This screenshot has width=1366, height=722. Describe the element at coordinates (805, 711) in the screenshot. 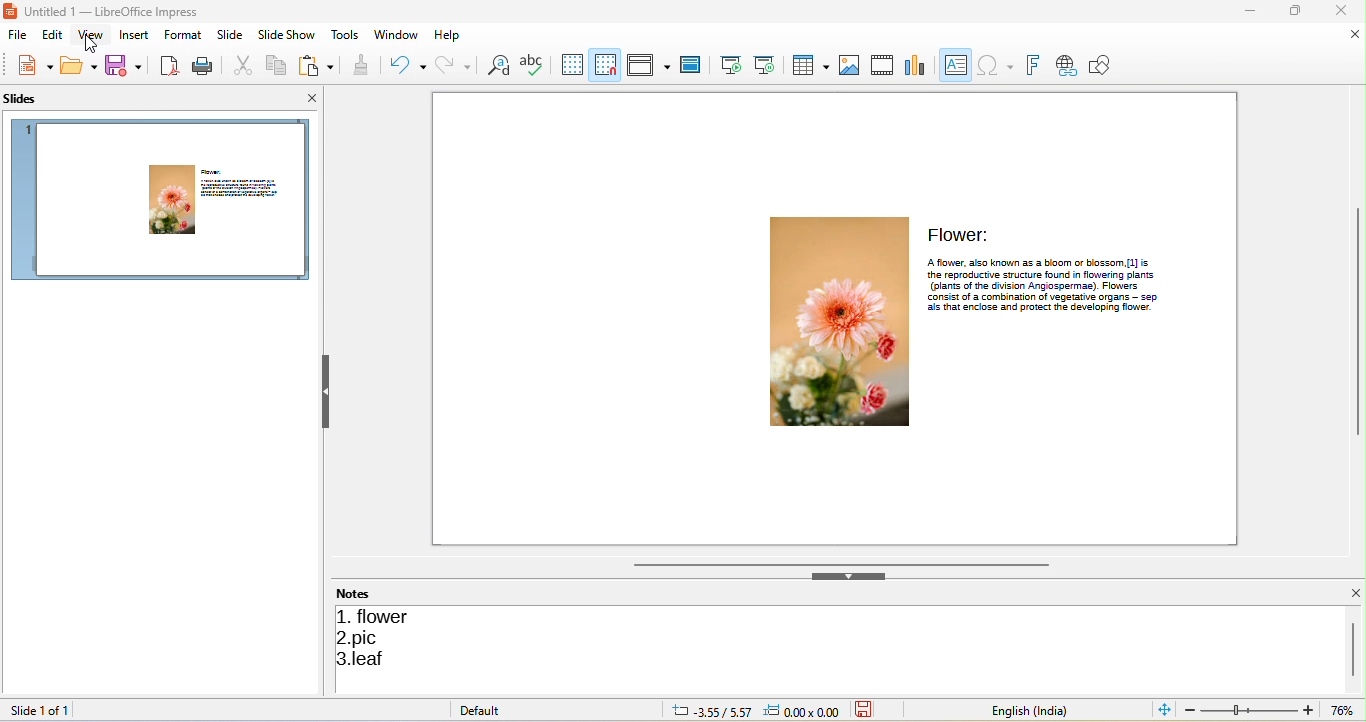

I see `0.00x0.00` at that location.